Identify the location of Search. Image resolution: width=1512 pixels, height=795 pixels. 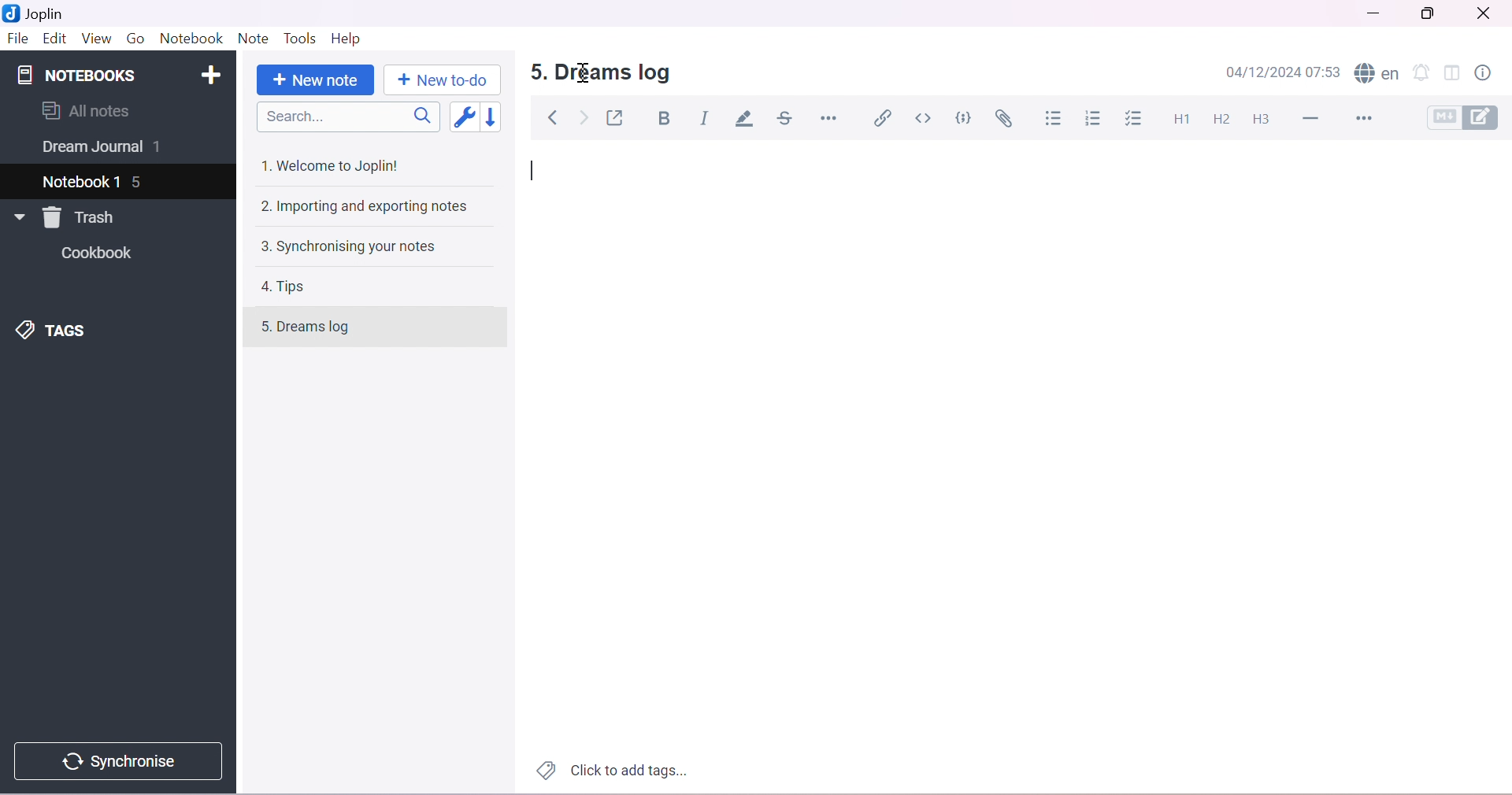
(353, 117).